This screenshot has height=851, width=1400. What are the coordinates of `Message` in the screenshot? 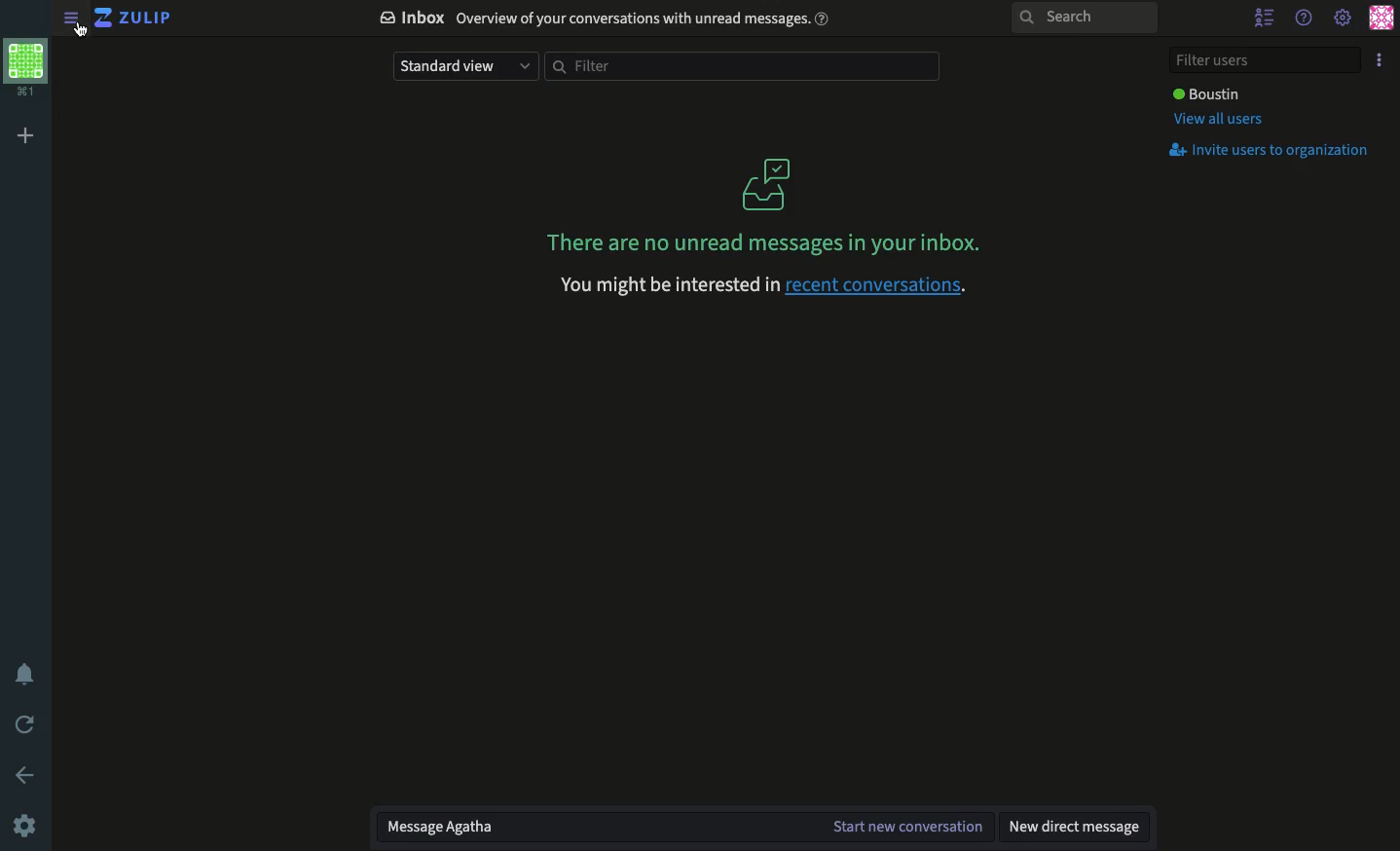 It's located at (682, 828).